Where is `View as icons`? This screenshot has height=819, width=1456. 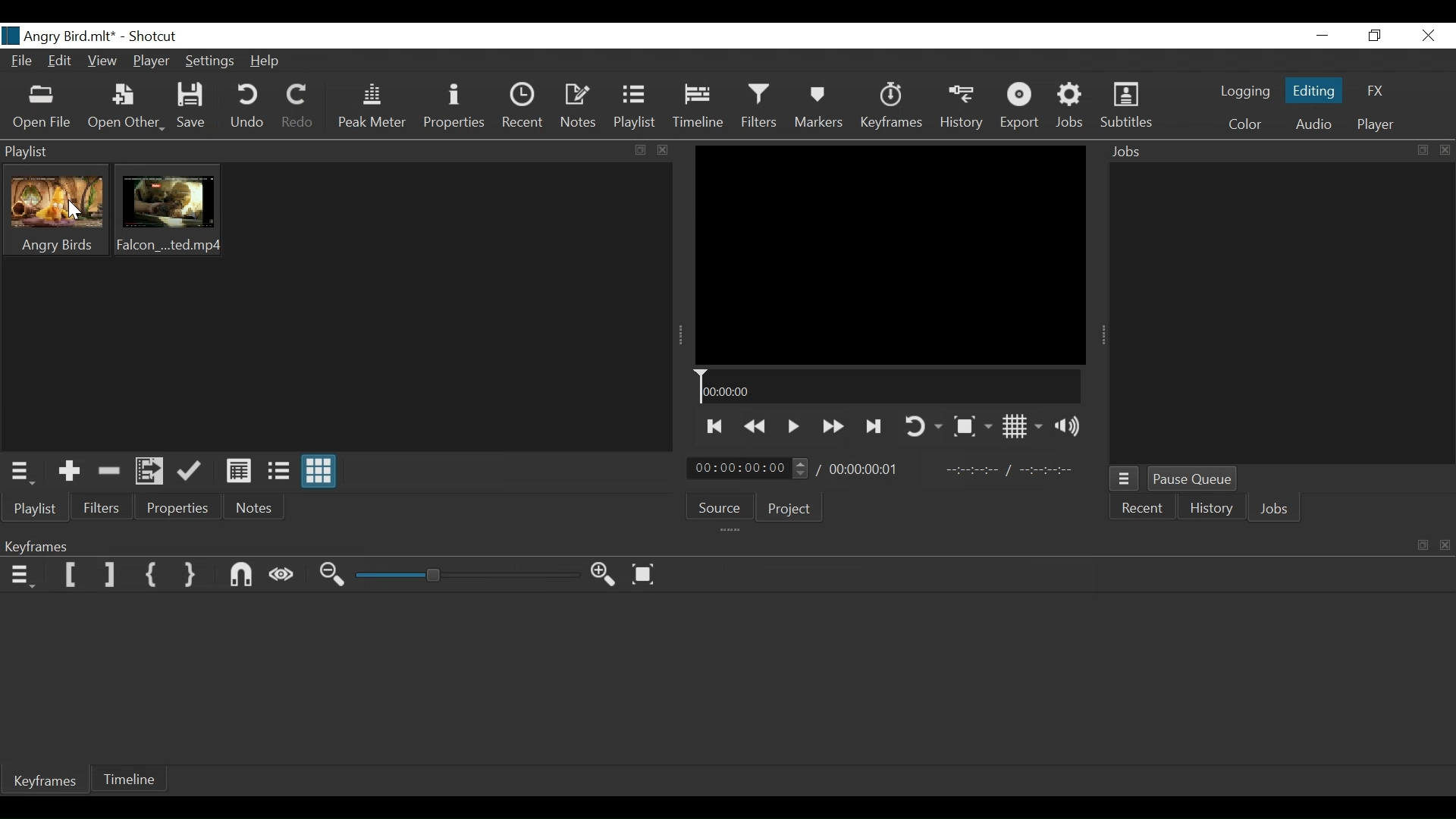
View as icons is located at coordinates (320, 472).